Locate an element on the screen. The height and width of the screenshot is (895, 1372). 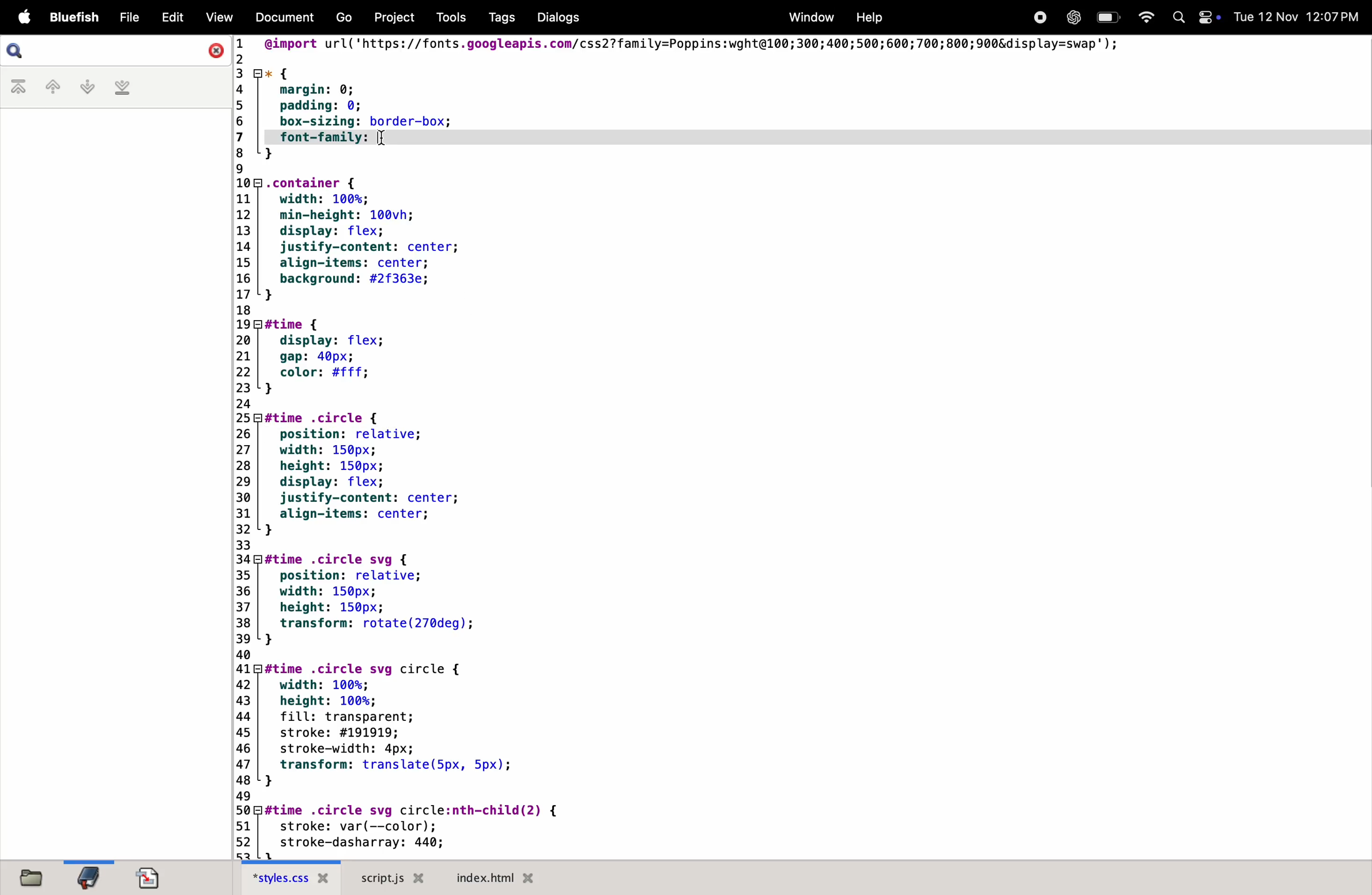
index.html is located at coordinates (492, 877).